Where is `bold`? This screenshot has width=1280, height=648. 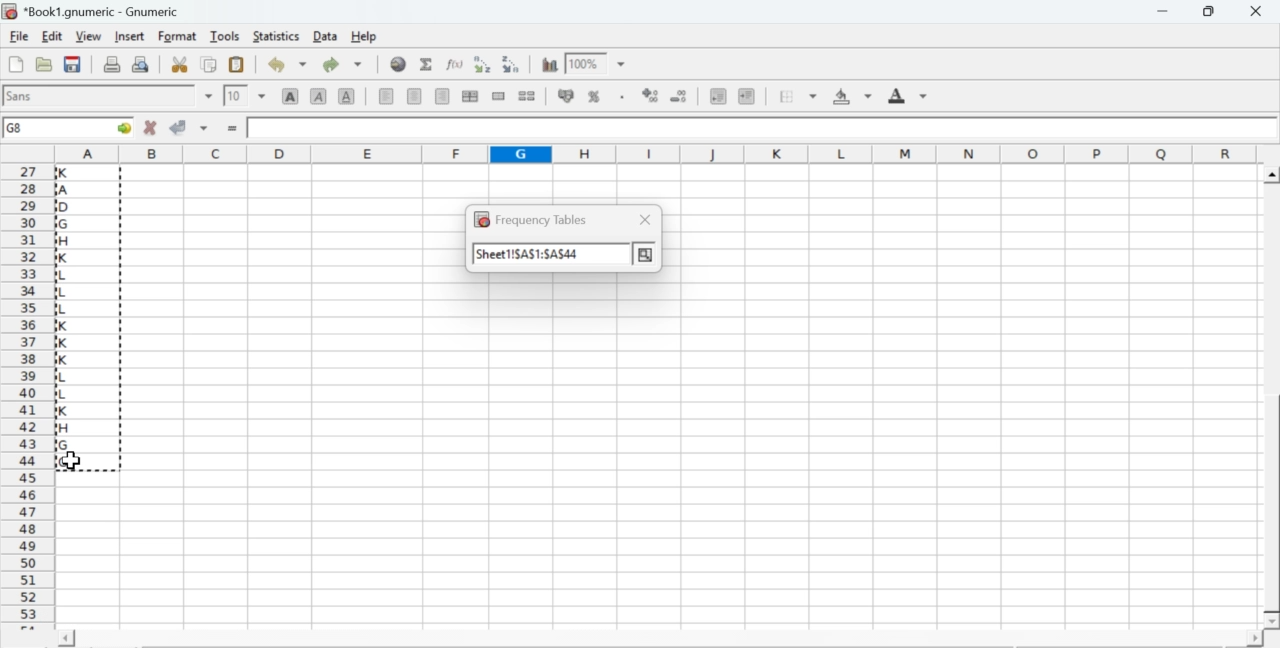
bold is located at coordinates (291, 95).